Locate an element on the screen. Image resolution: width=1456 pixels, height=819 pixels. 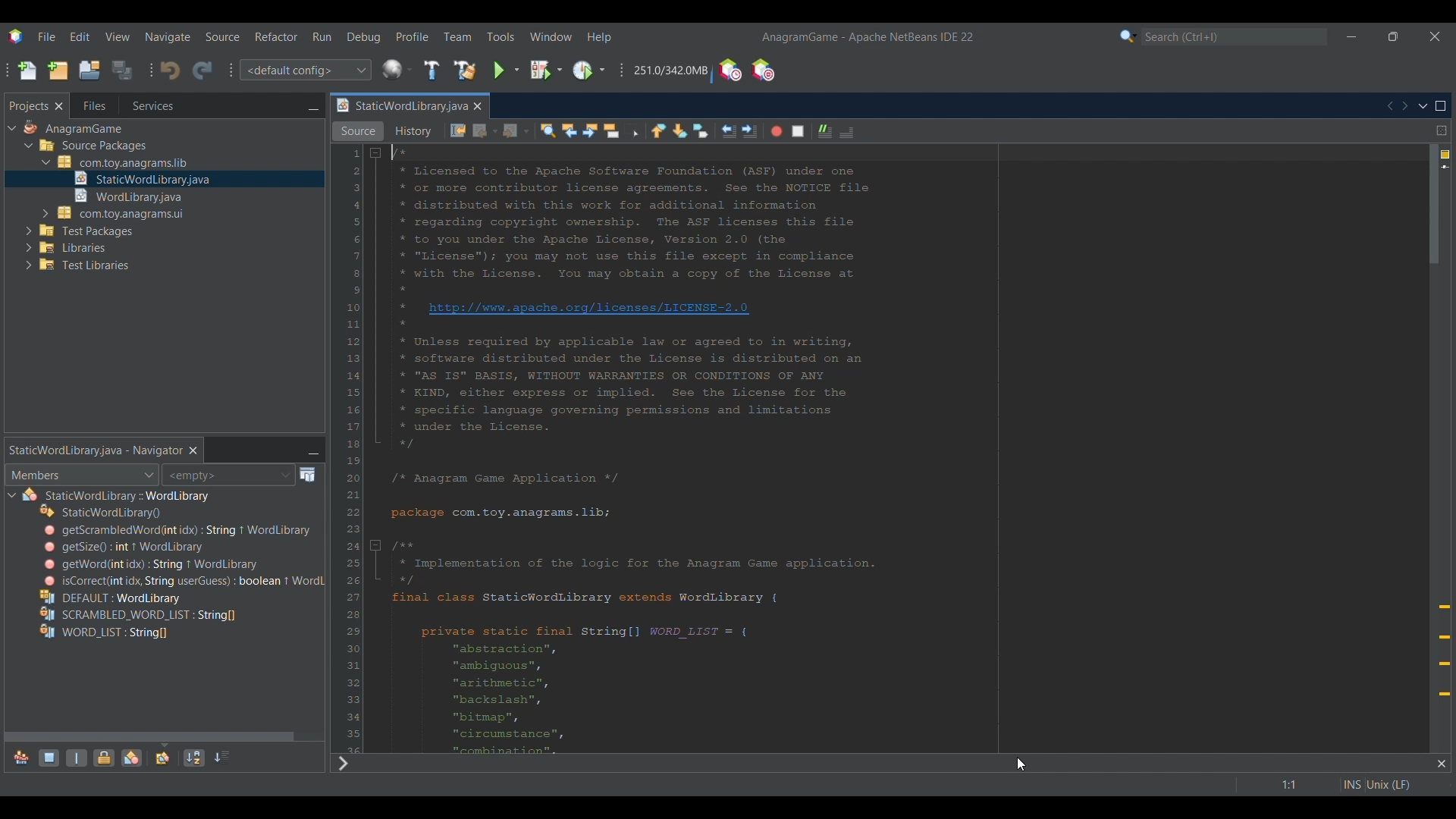
File menu is located at coordinates (47, 36).